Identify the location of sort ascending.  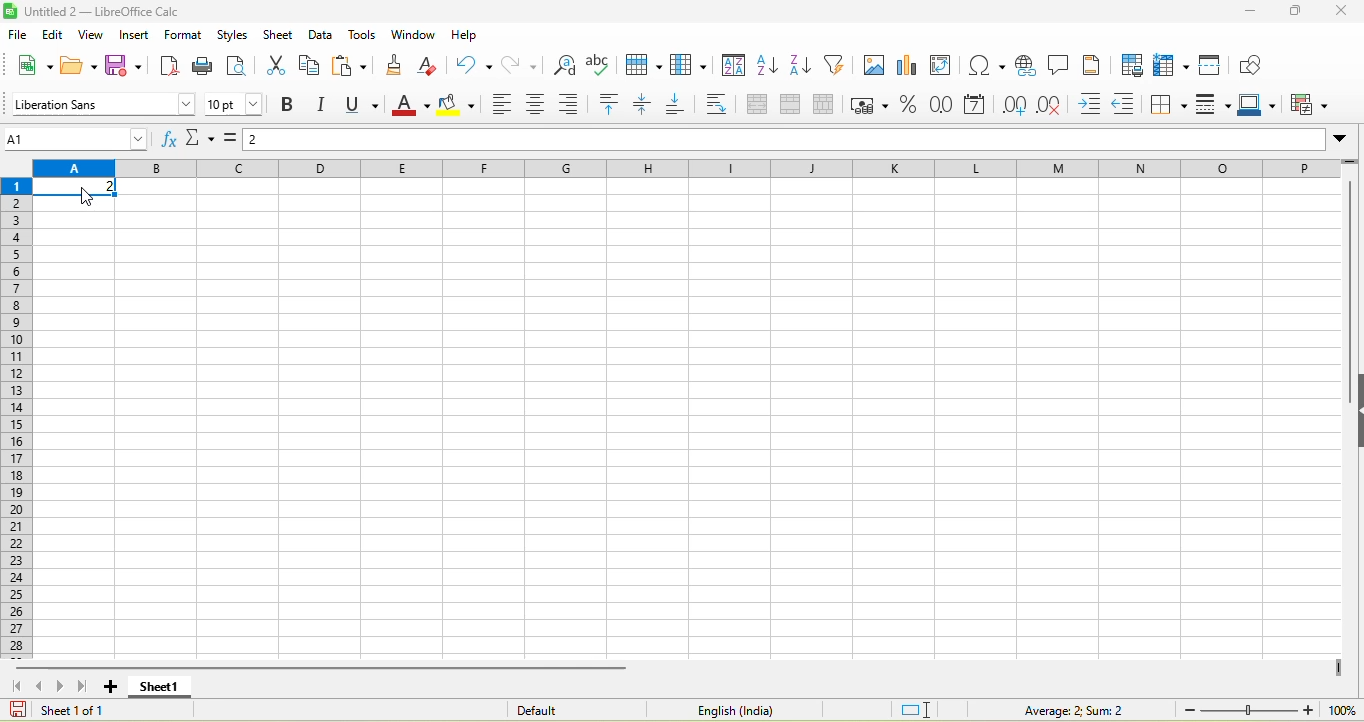
(769, 67).